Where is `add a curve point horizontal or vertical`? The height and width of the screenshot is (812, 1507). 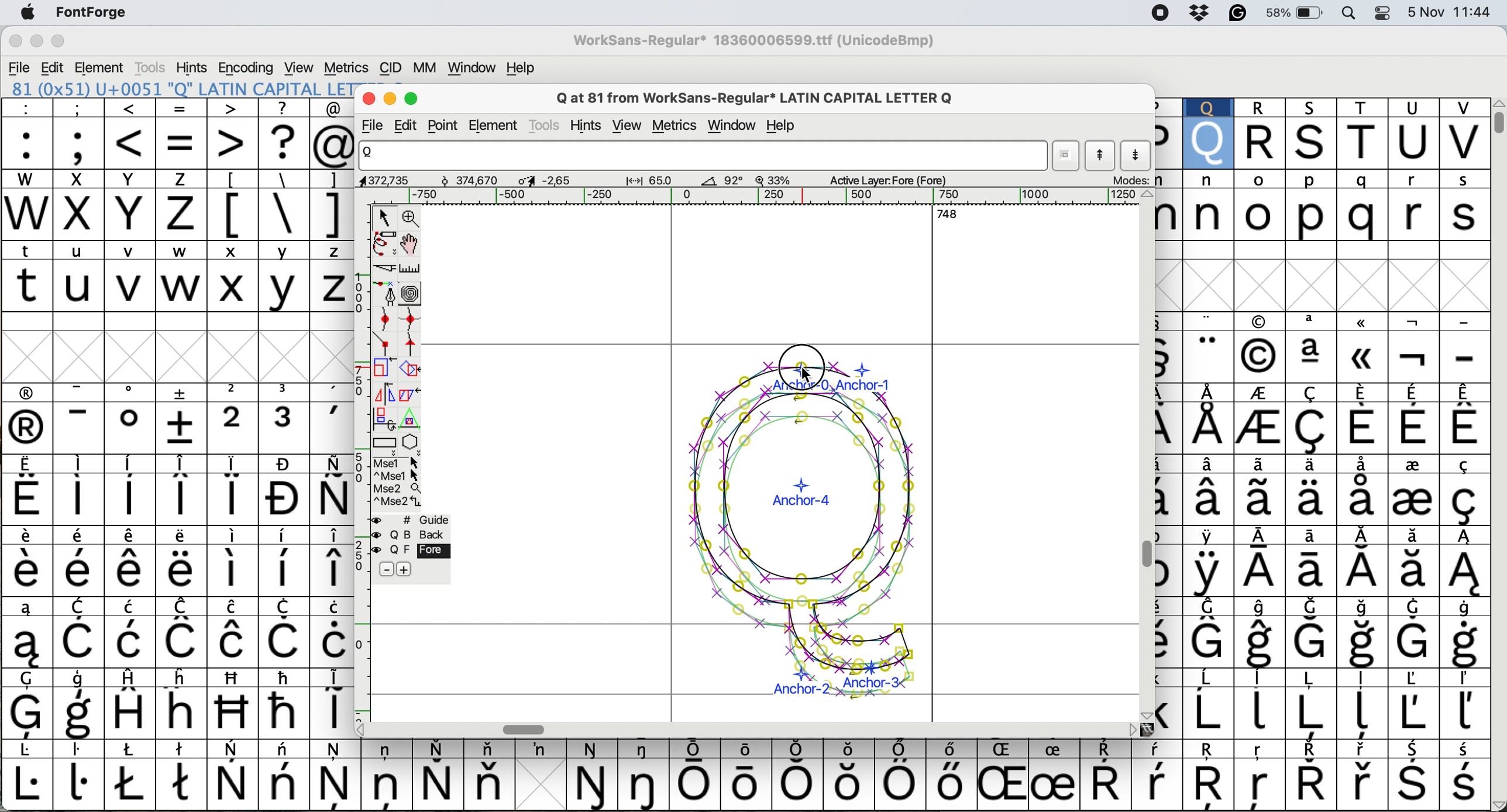 add a curve point horizontal or vertical is located at coordinates (410, 321).